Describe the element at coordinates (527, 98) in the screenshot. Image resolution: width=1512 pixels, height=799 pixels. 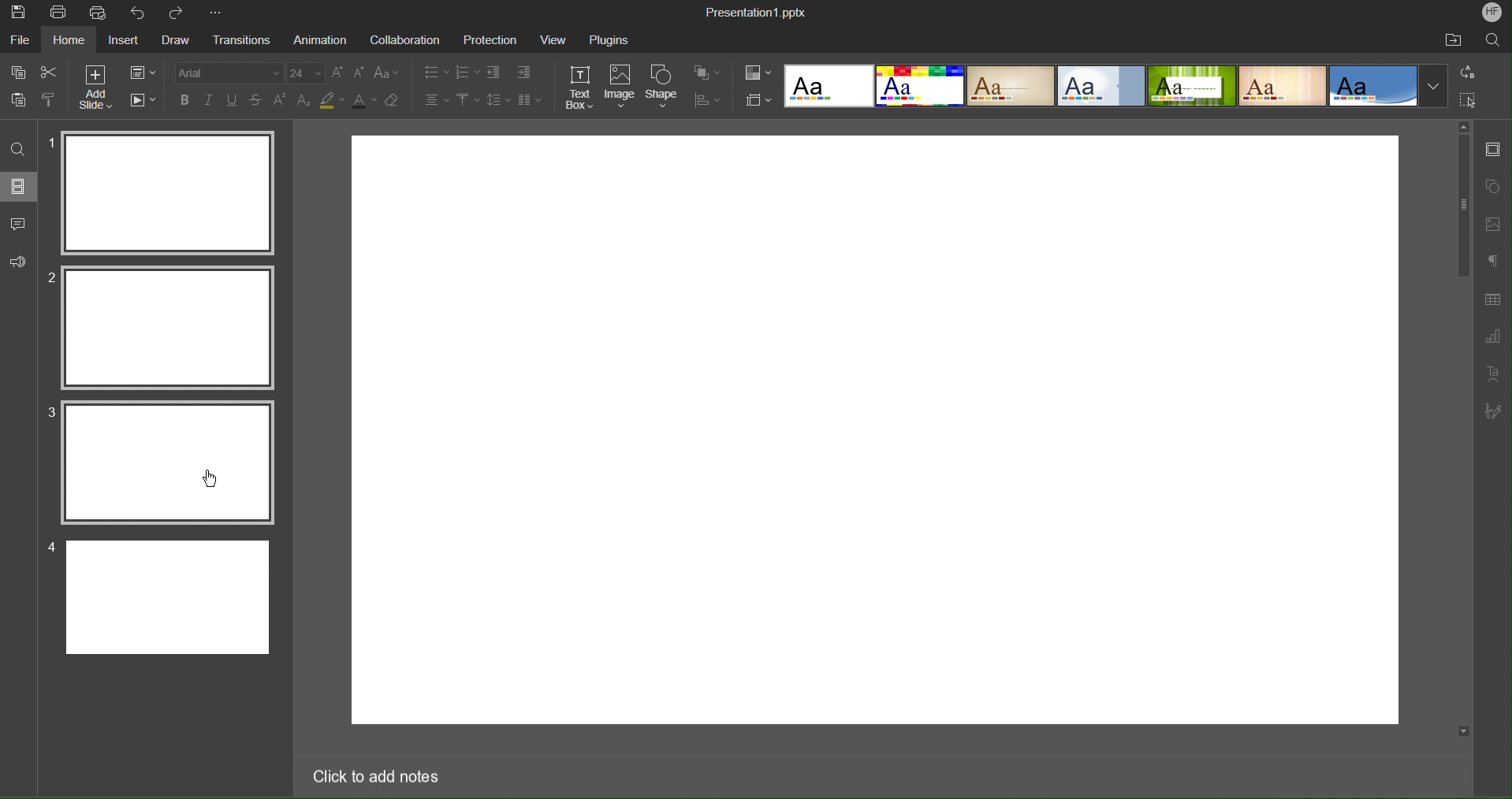
I see `Columns` at that location.